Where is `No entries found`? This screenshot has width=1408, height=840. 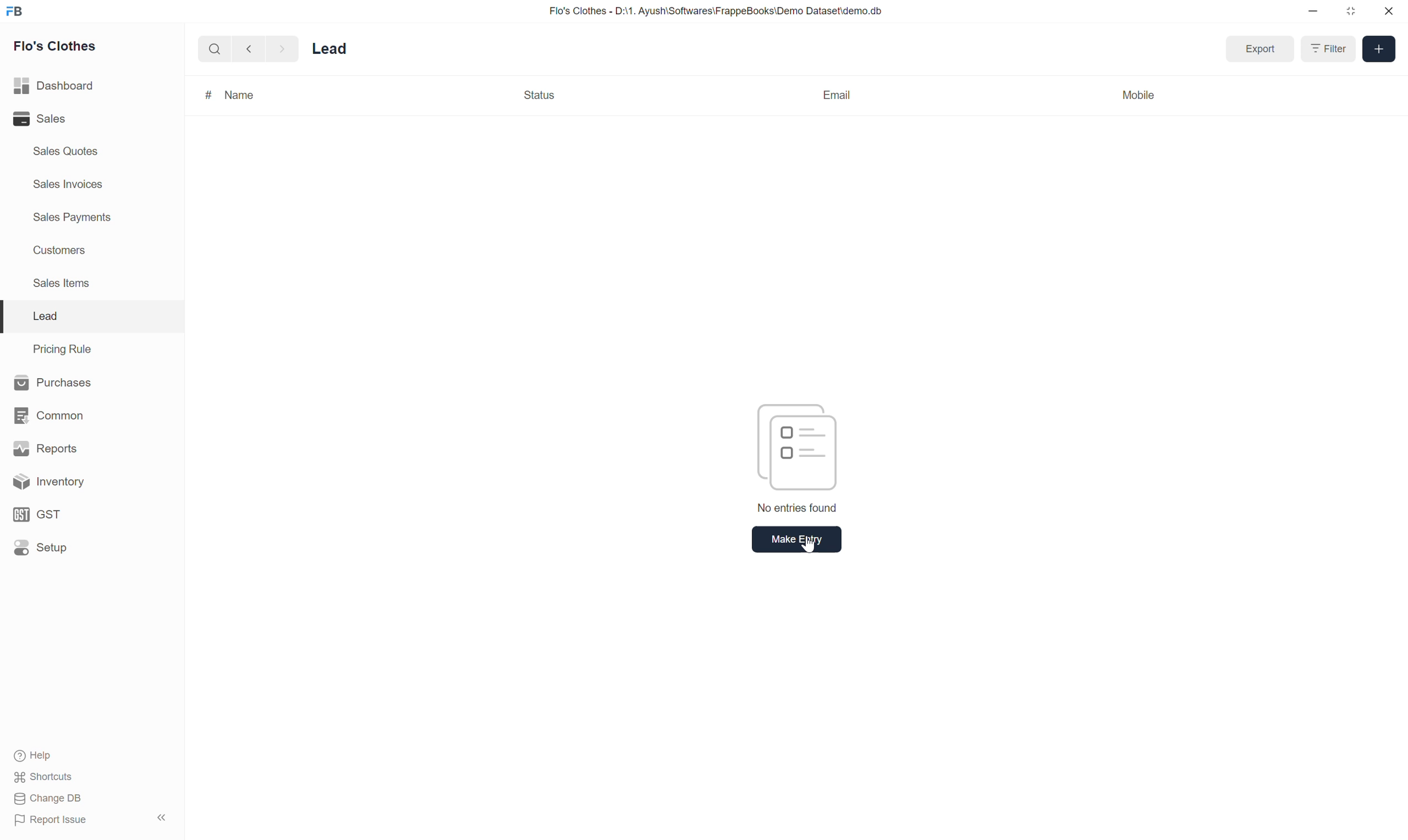 No entries found is located at coordinates (795, 509).